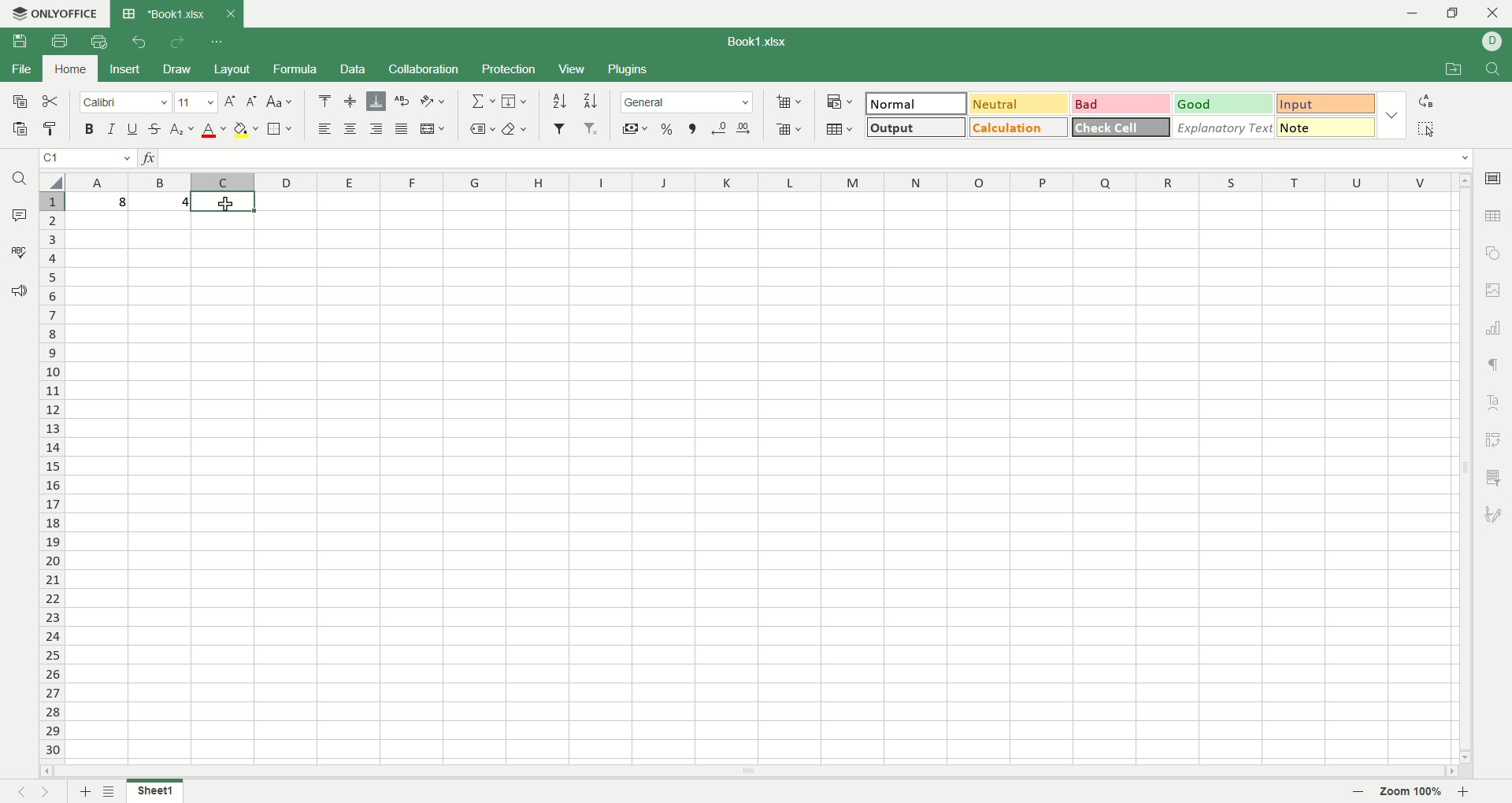 This screenshot has height=803, width=1512. What do you see at coordinates (1430, 128) in the screenshot?
I see `select all` at bounding box center [1430, 128].